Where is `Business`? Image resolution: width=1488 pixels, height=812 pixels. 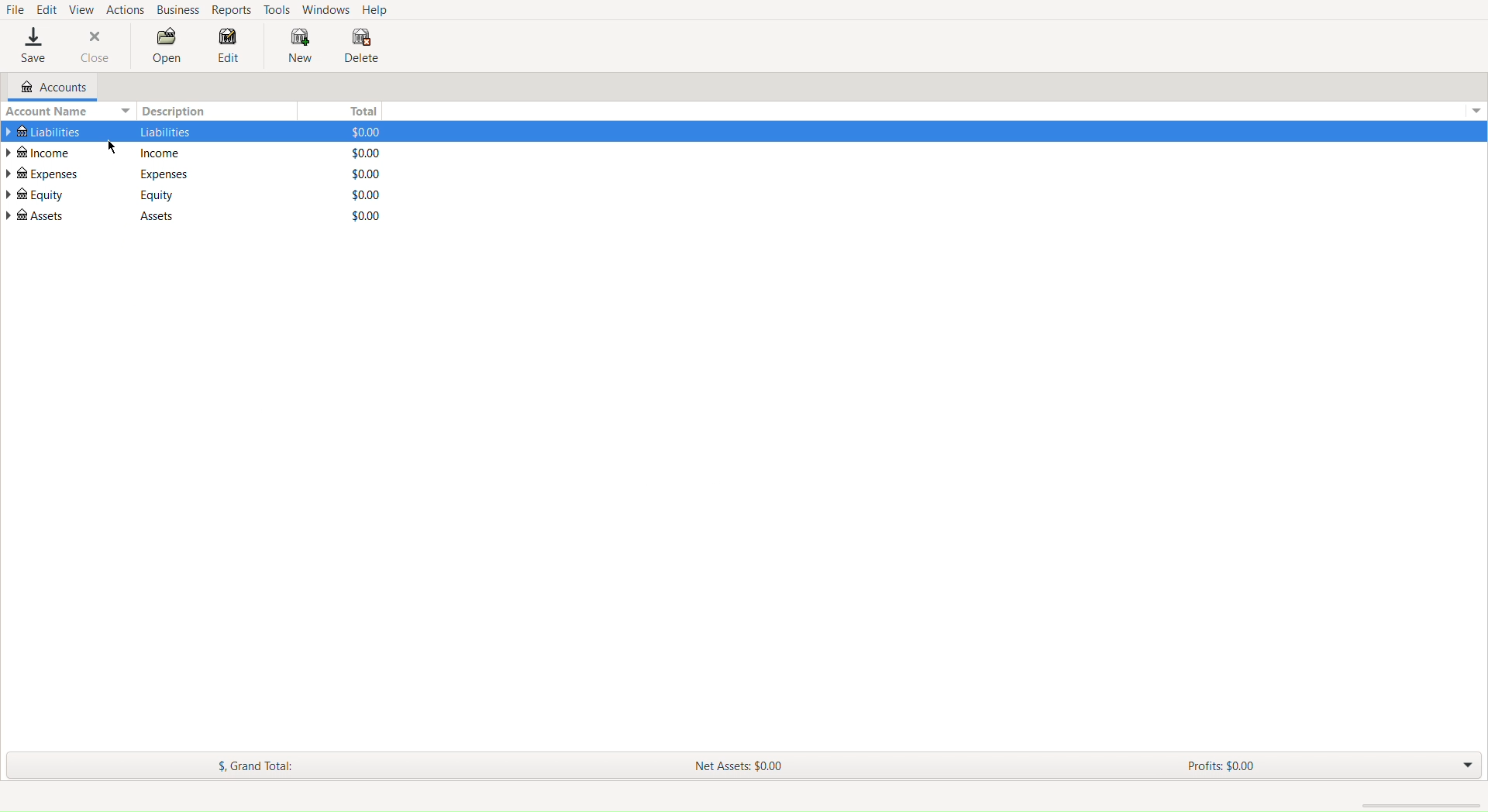 Business is located at coordinates (178, 11).